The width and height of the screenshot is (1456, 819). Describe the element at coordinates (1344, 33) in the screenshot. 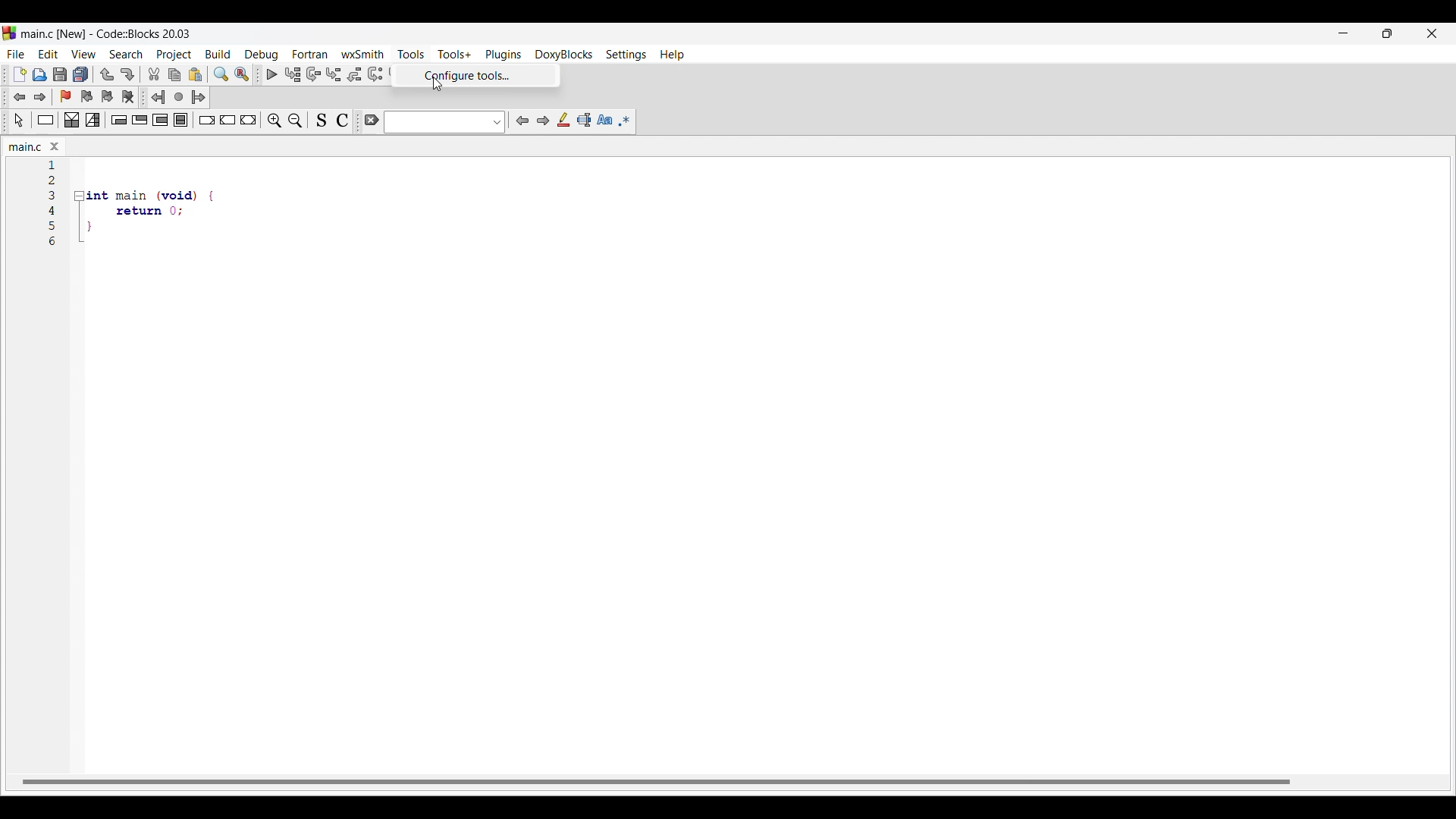

I see `Minimize` at that location.